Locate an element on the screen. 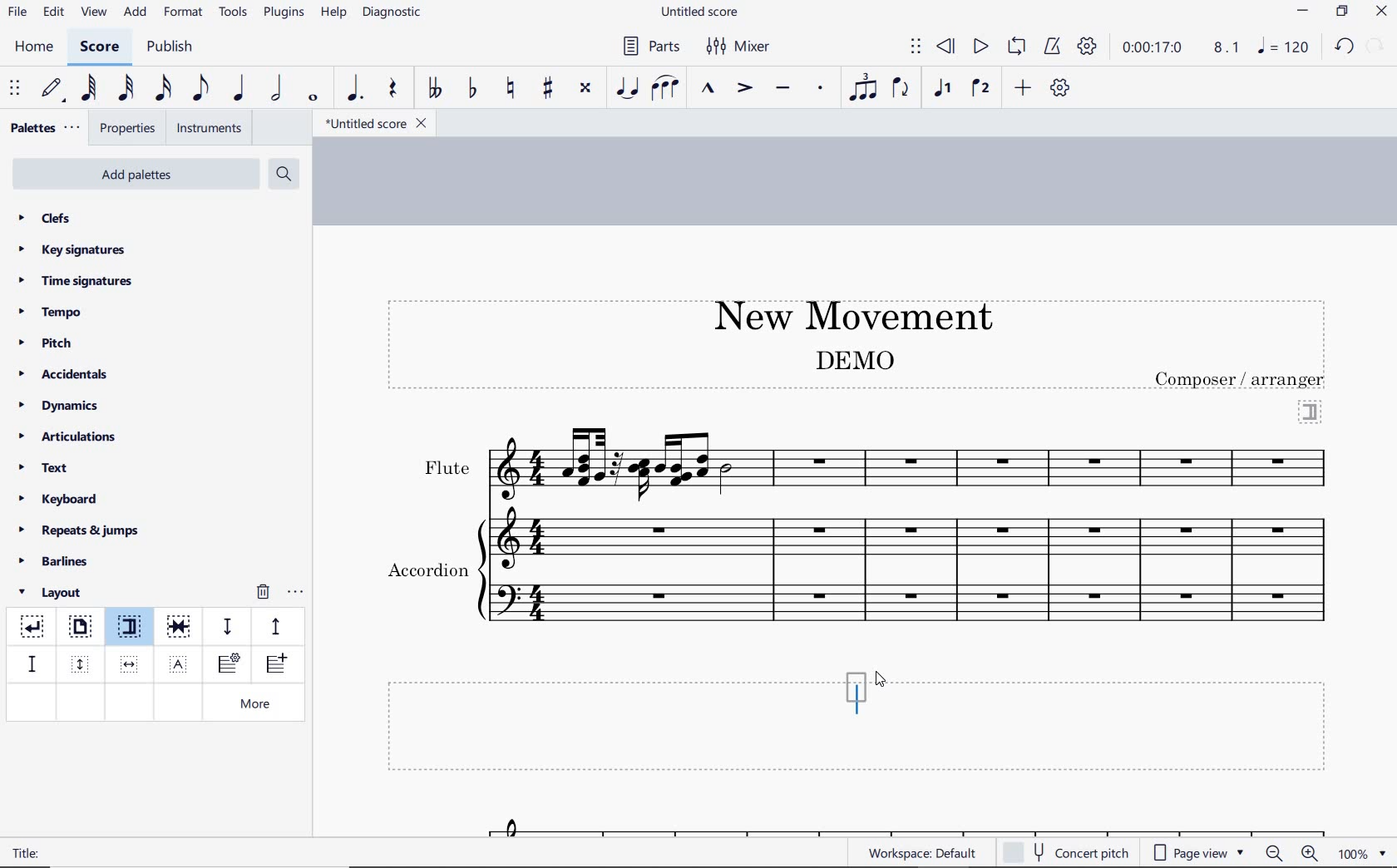  play is located at coordinates (979, 48).